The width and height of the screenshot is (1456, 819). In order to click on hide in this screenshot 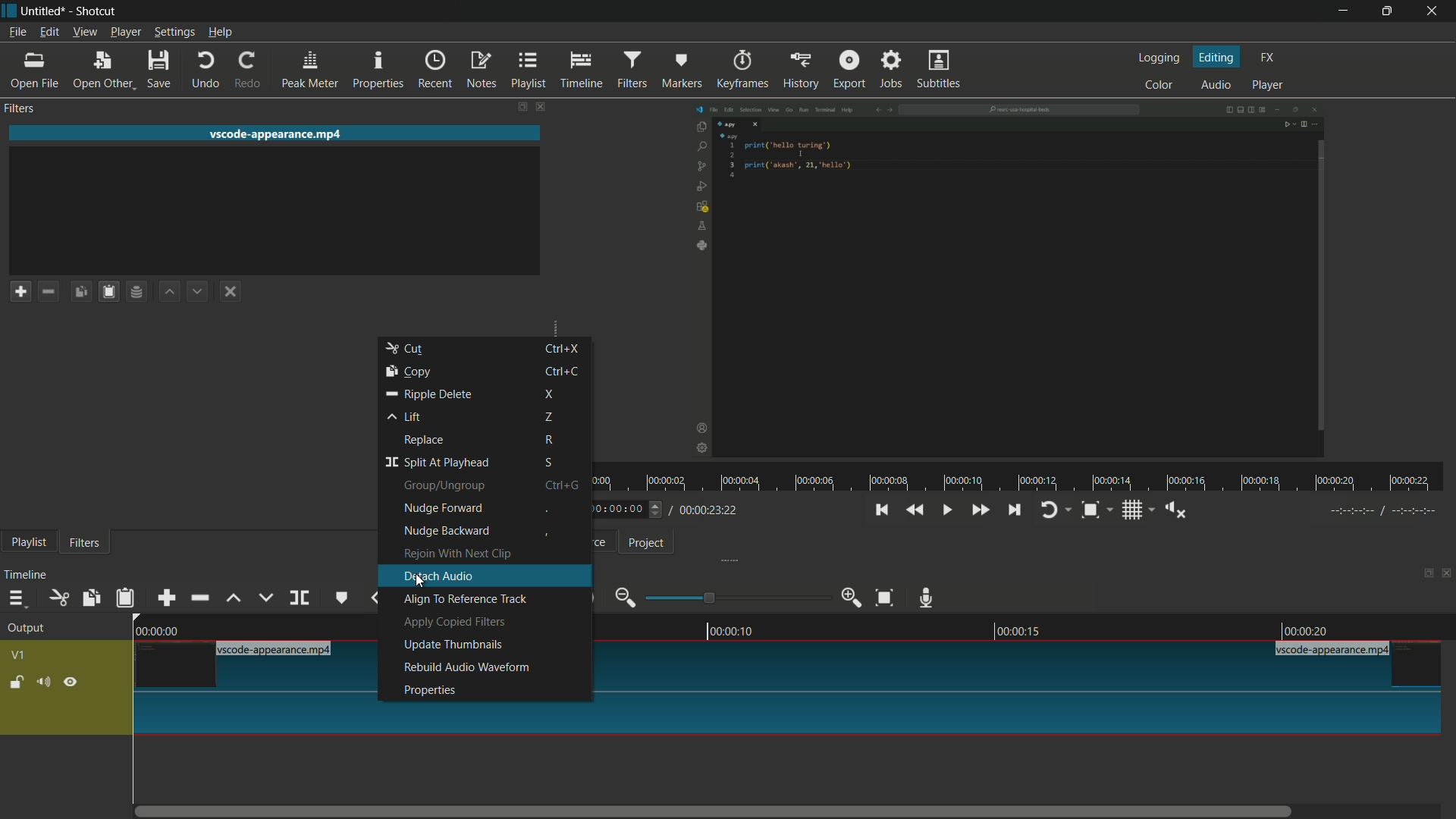, I will do `click(71, 682)`.